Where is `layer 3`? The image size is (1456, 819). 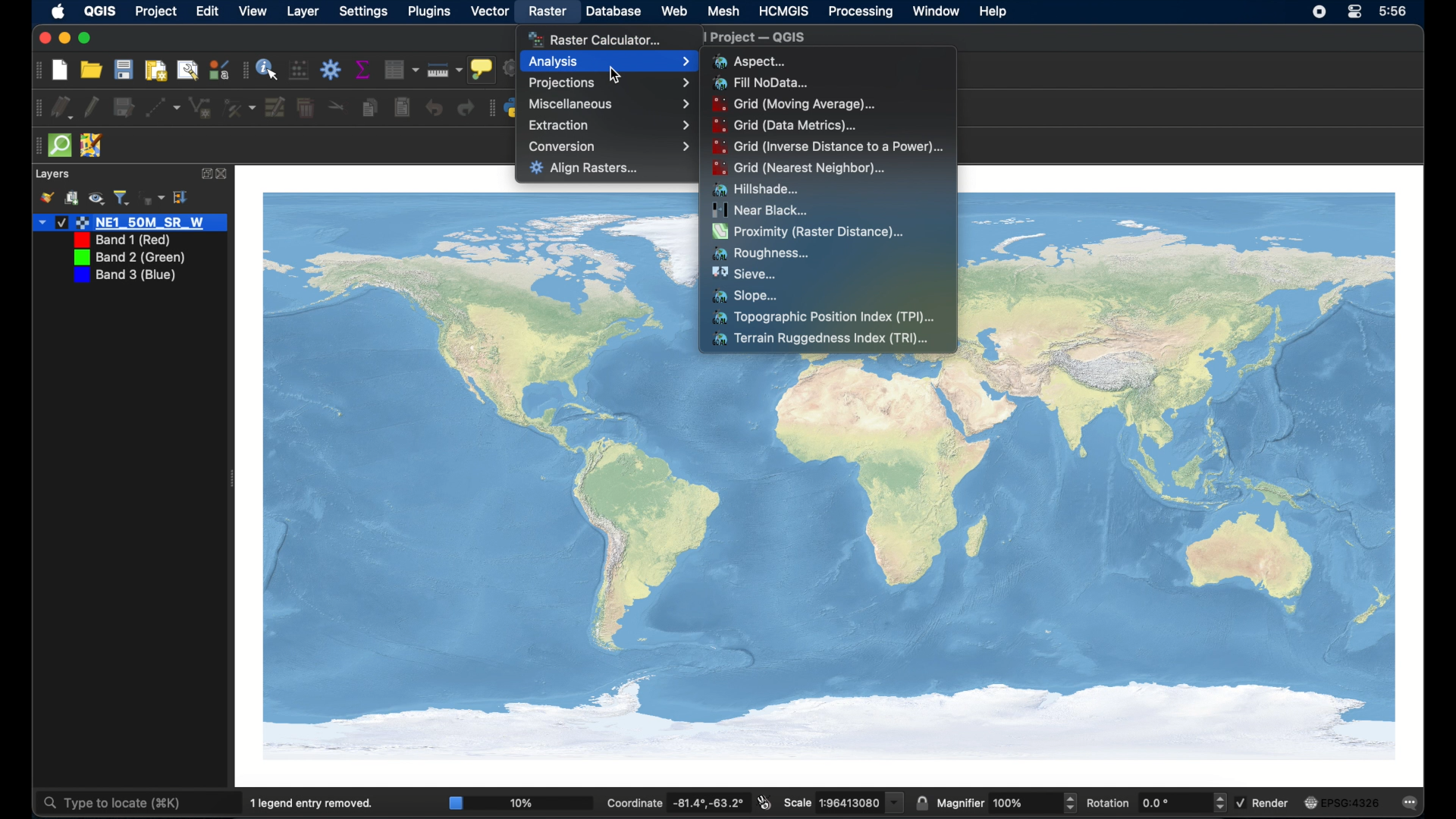
layer 3 is located at coordinates (128, 257).